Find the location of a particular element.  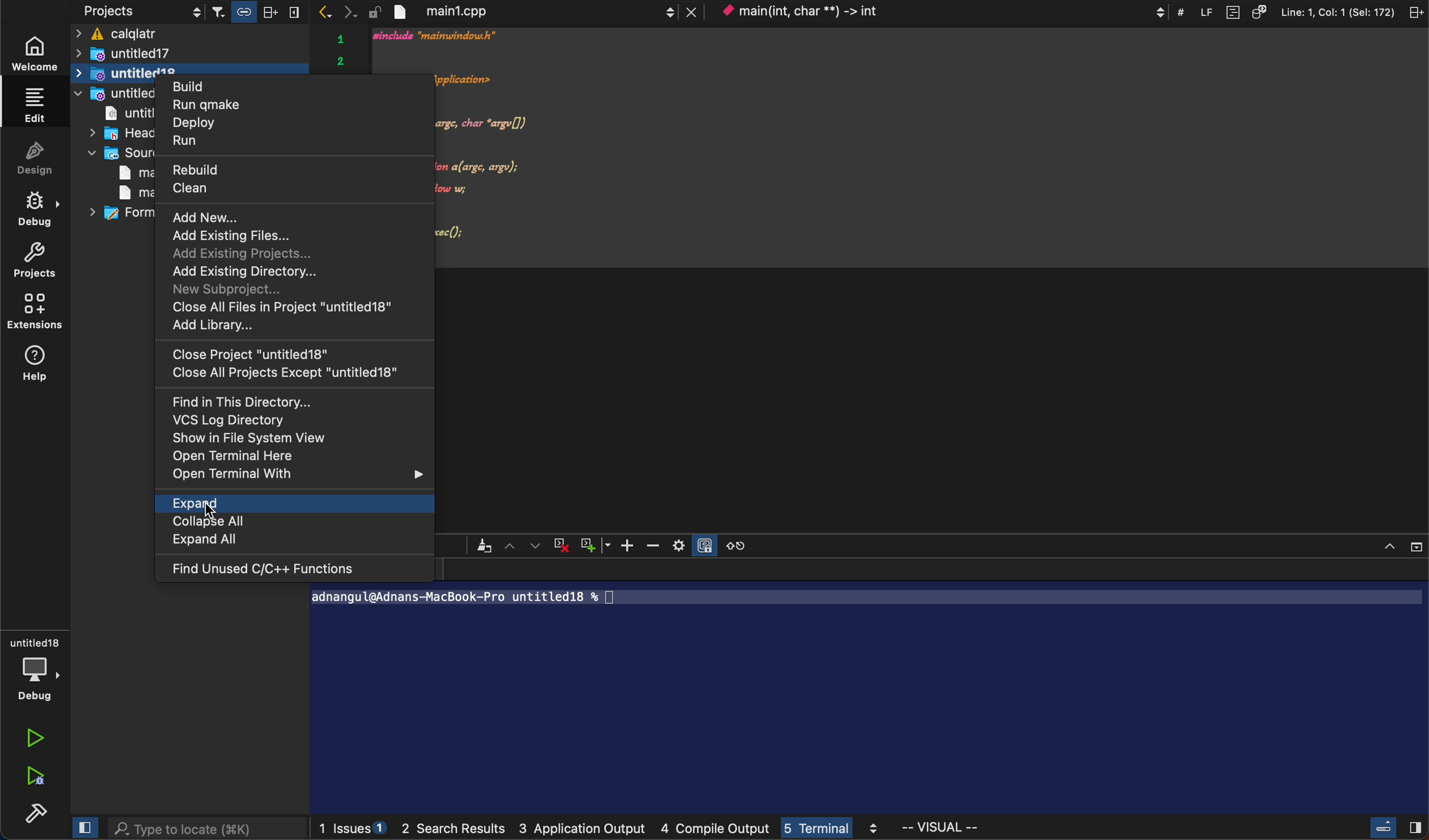

untitled 18 is located at coordinates (115, 71).